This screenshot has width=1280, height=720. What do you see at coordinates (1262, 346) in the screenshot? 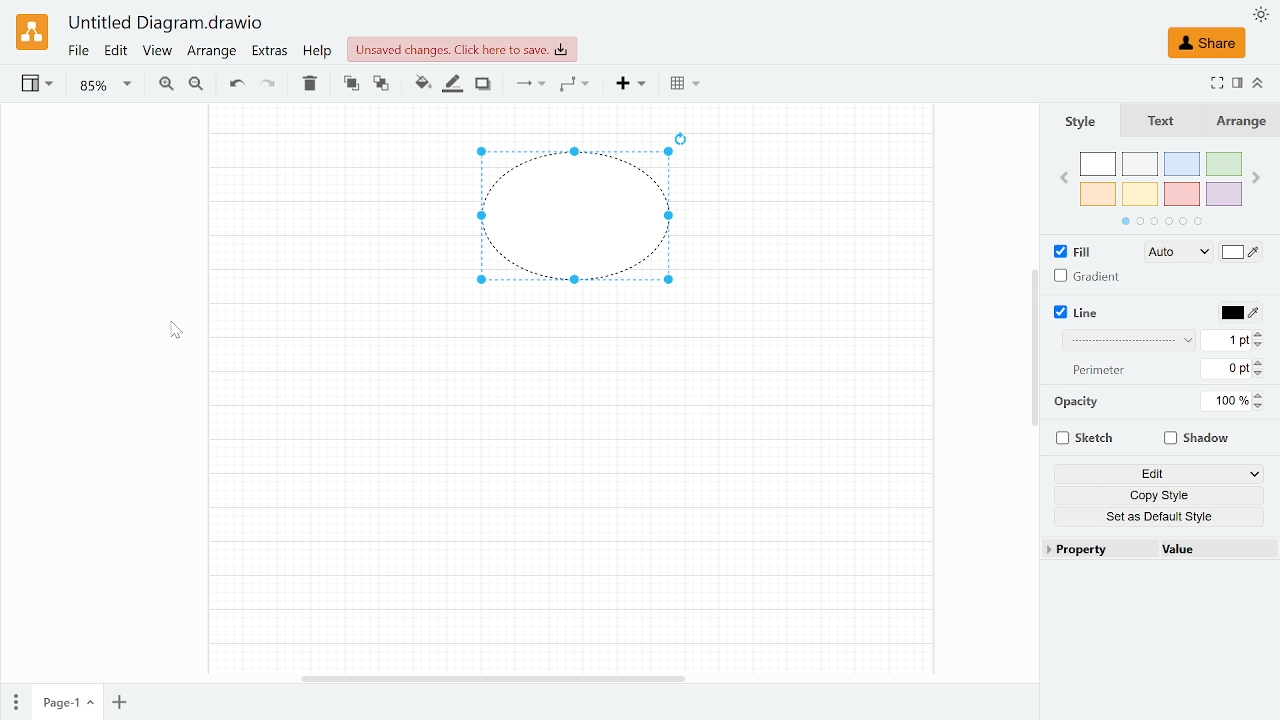
I see `Decrease line width` at bounding box center [1262, 346].